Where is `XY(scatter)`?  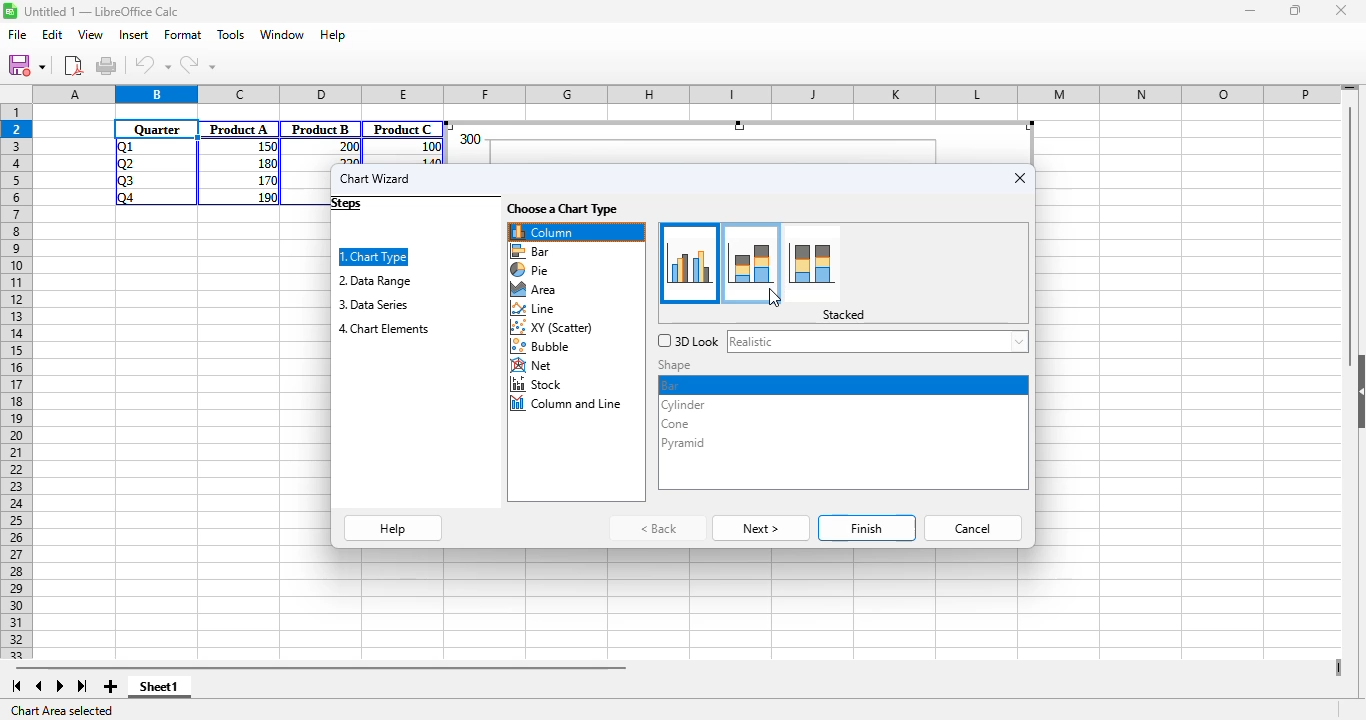
XY(scatter) is located at coordinates (554, 329).